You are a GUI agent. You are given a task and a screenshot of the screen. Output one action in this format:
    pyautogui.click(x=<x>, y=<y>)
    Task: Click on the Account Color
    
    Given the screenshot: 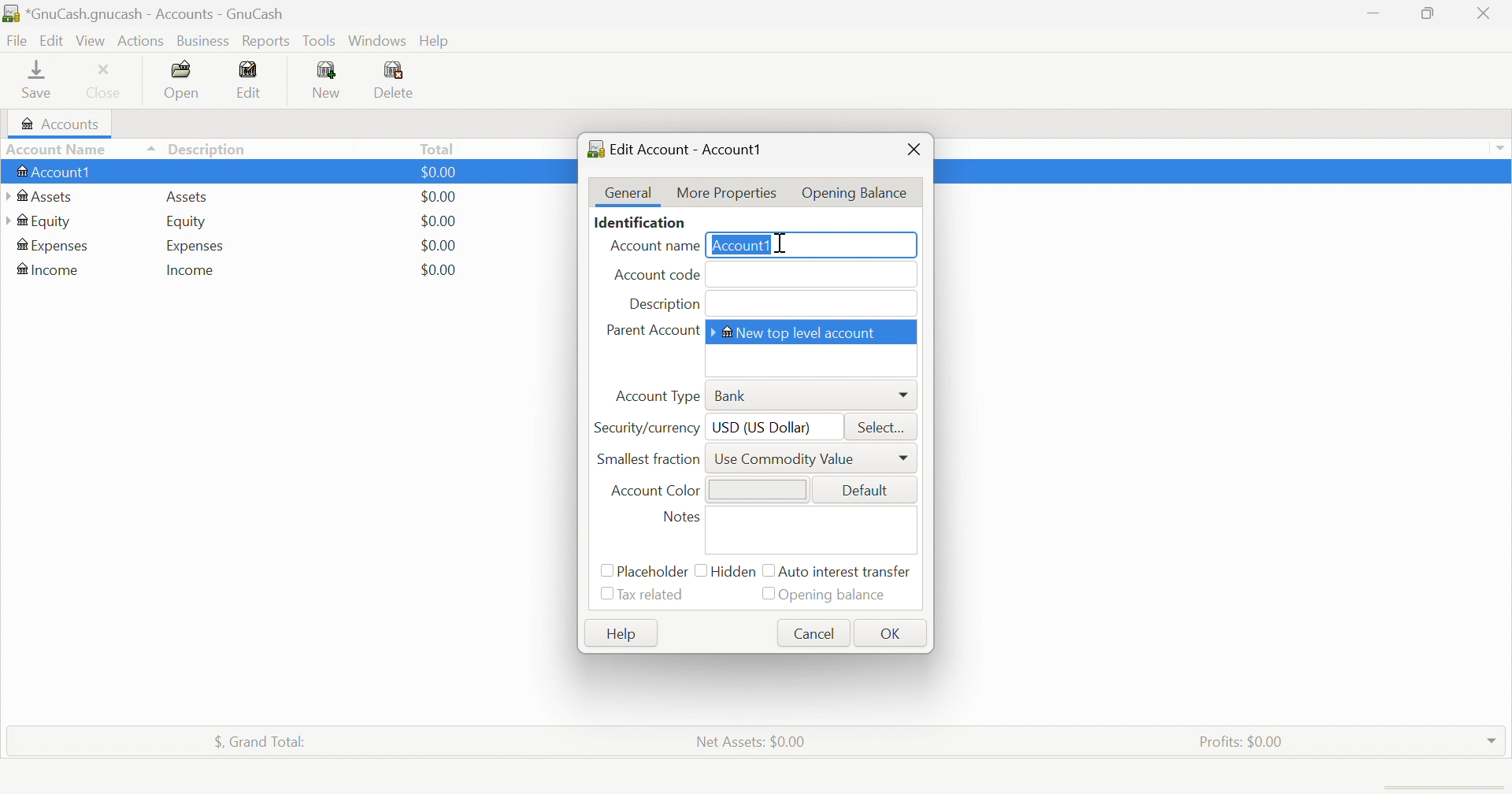 What is the action you would take?
    pyautogui.click(x=654, y=492)
    